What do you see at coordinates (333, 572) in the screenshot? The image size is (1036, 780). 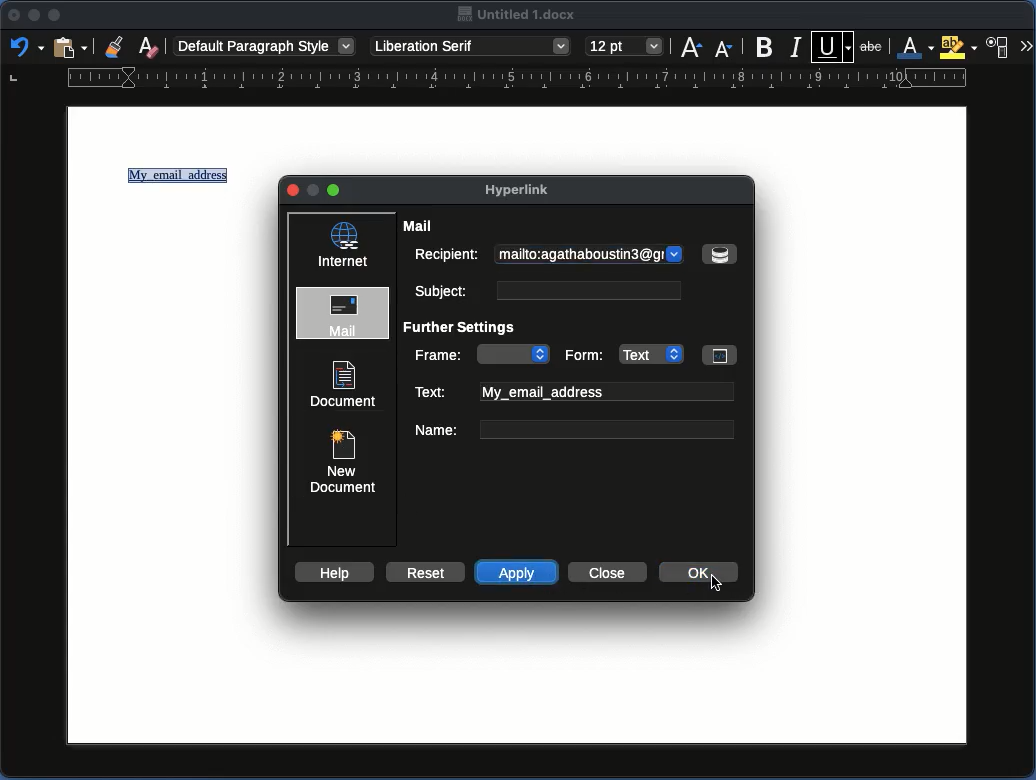 I see `Help` at bounding box center [333, 572].